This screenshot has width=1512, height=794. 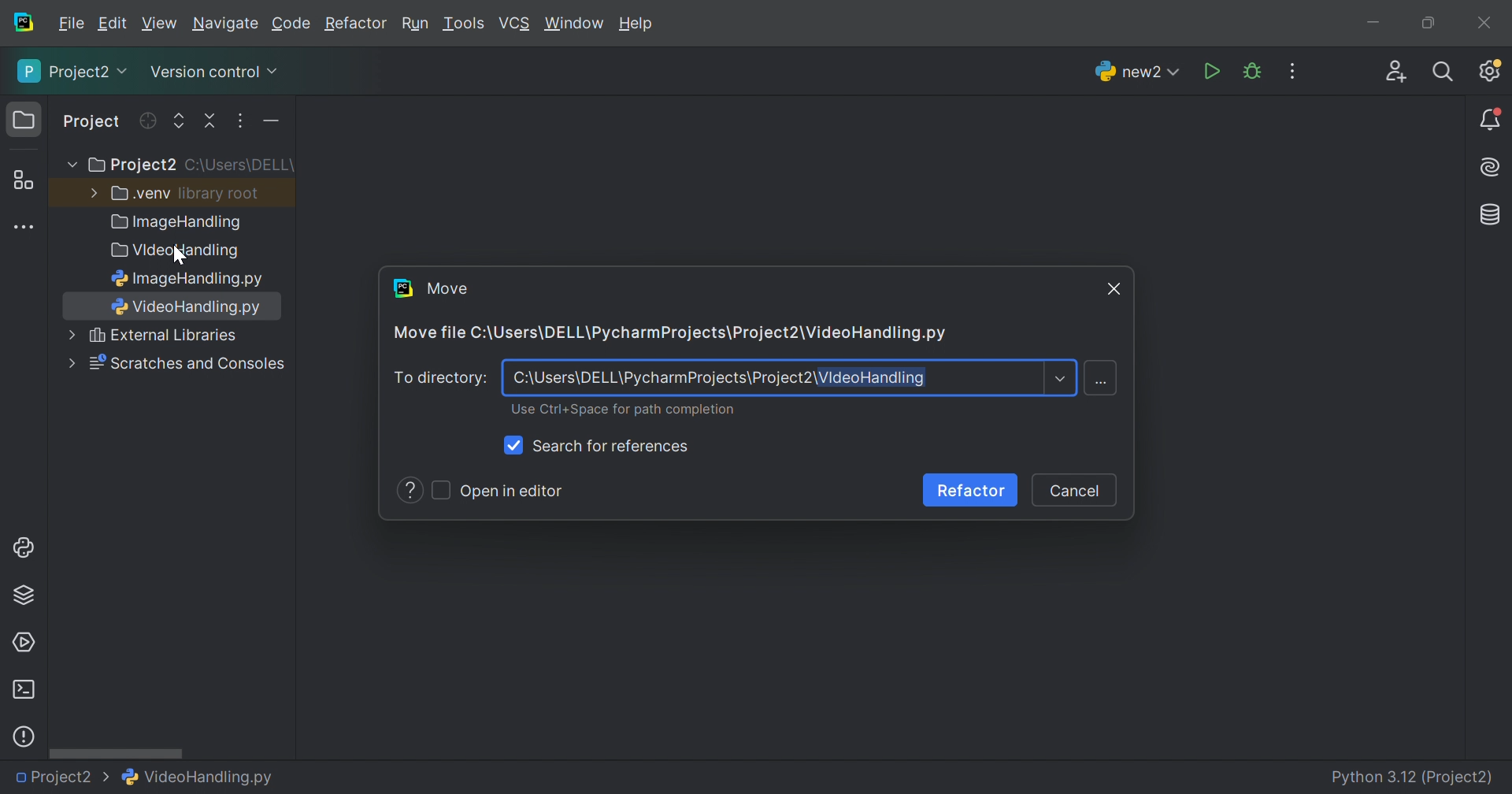 What do you see at coordinates (639, 25) in the screenshot?
I see `Help` at bounding box center [639, 25].